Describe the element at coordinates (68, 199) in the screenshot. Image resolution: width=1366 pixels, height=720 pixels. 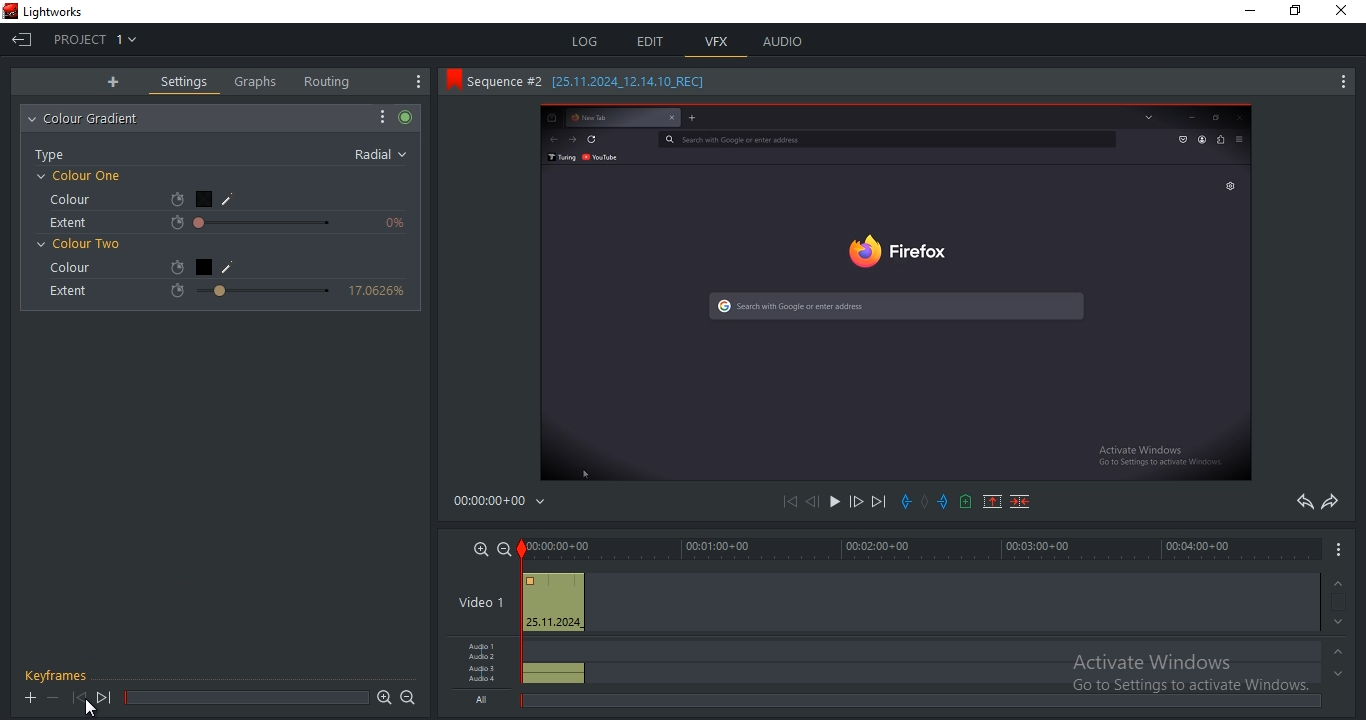
I see `colour` at that location.